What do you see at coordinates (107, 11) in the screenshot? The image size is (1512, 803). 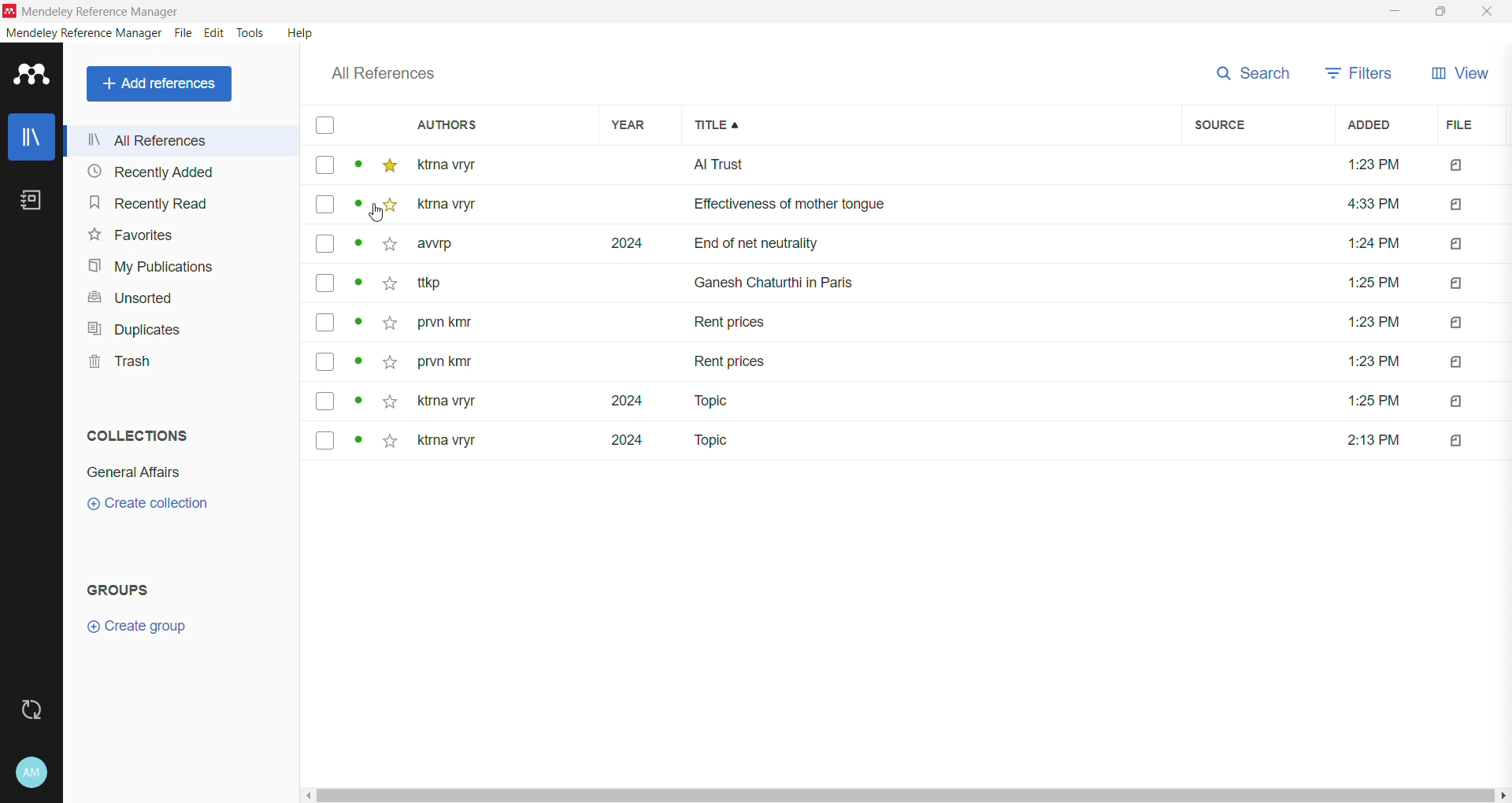 I see `Application Name` at bounding box center [107, 11].